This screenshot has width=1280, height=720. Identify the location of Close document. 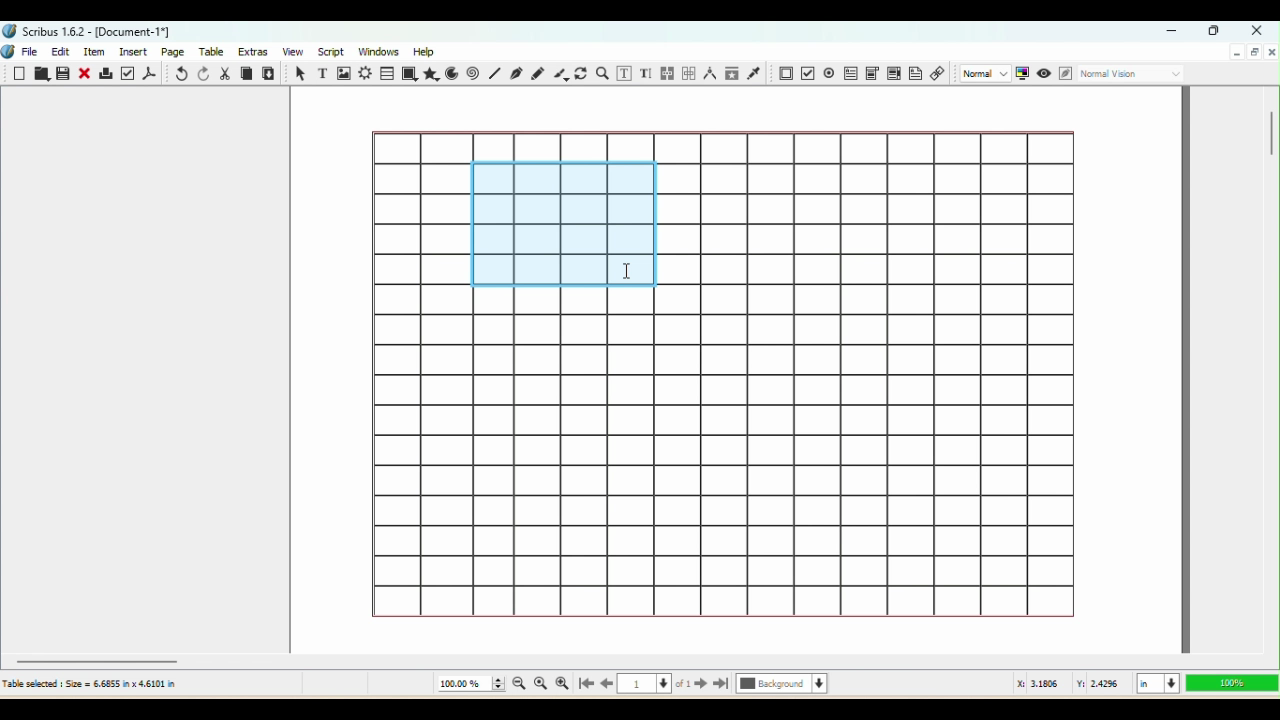
(1271, 51).